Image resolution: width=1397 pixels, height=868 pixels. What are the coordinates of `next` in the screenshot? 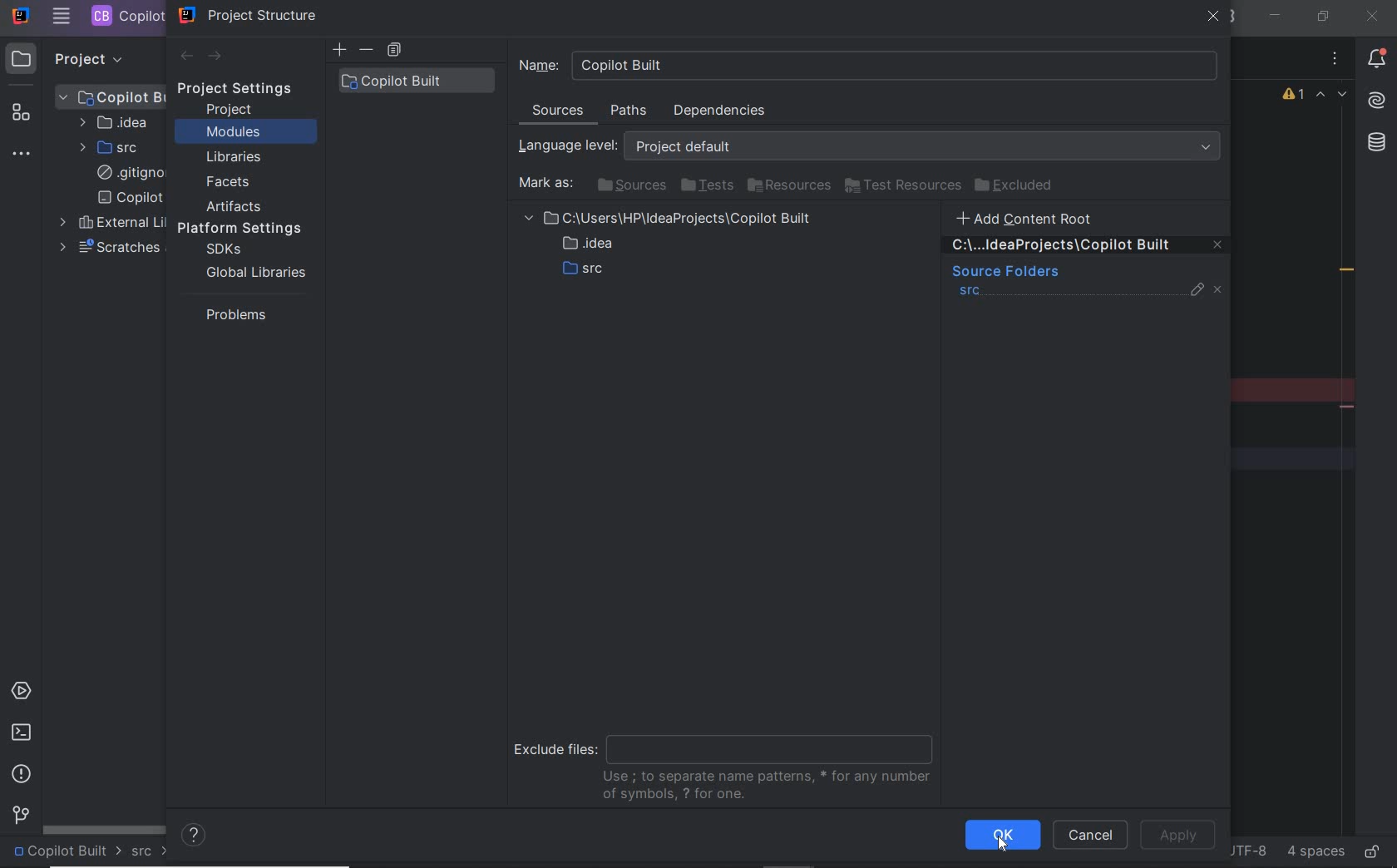 It's located at (216, 57).